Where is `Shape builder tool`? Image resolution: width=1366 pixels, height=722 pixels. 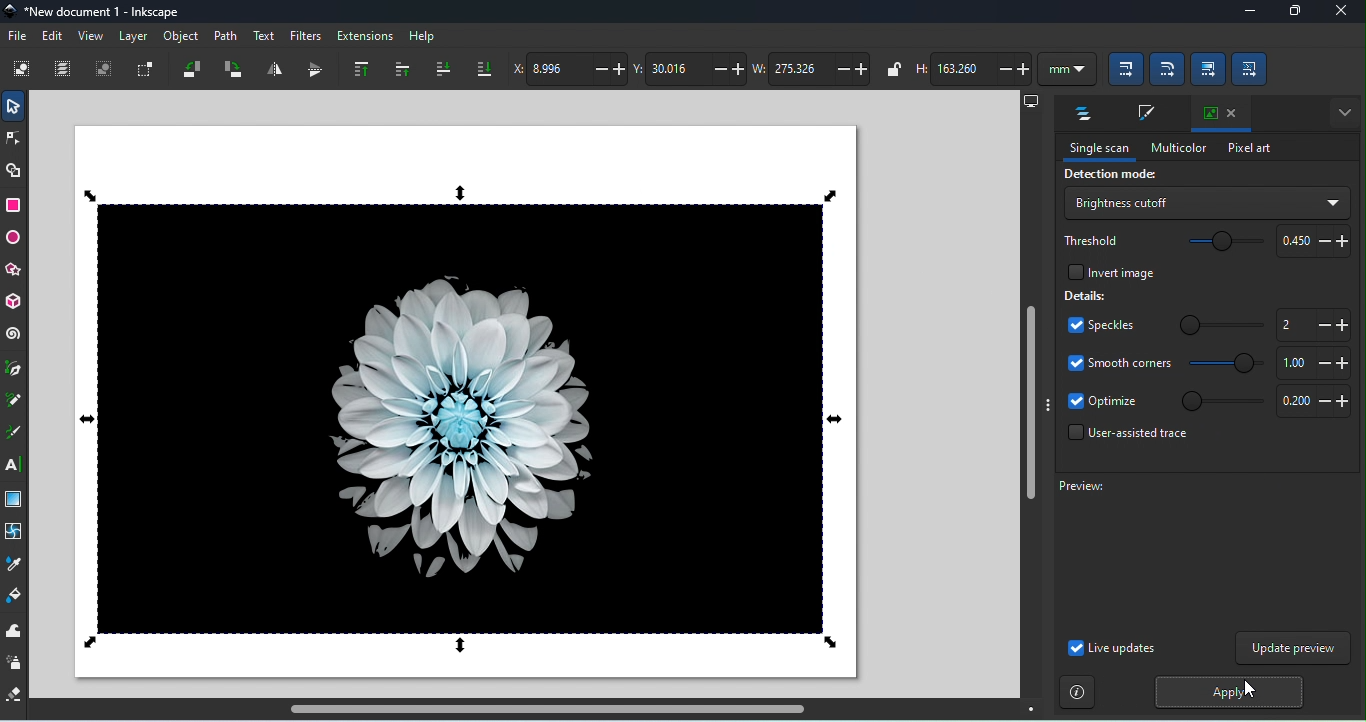
Shape builder tool is located at coordinates (13, 172).